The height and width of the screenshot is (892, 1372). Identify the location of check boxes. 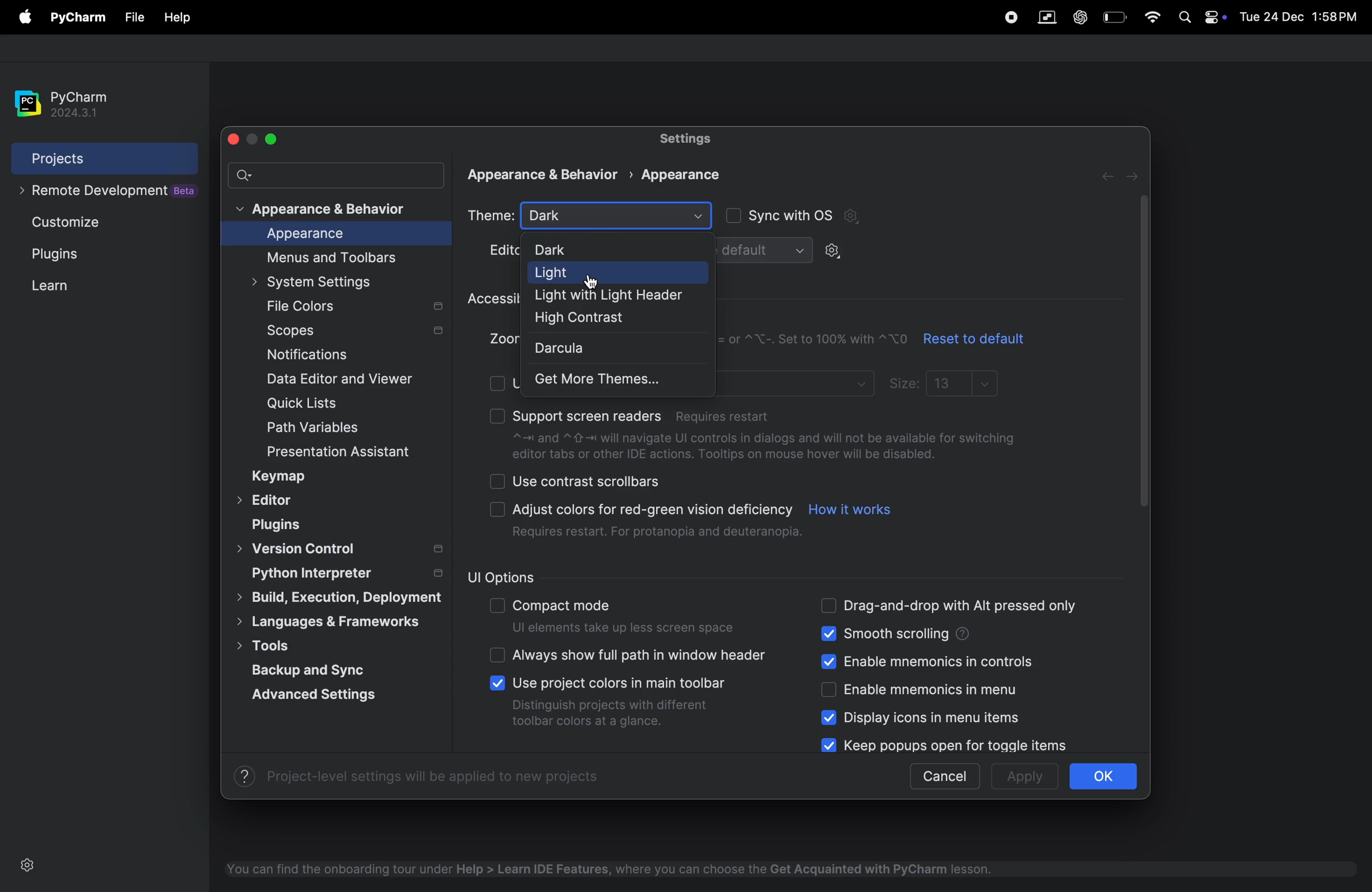
(497, 415).